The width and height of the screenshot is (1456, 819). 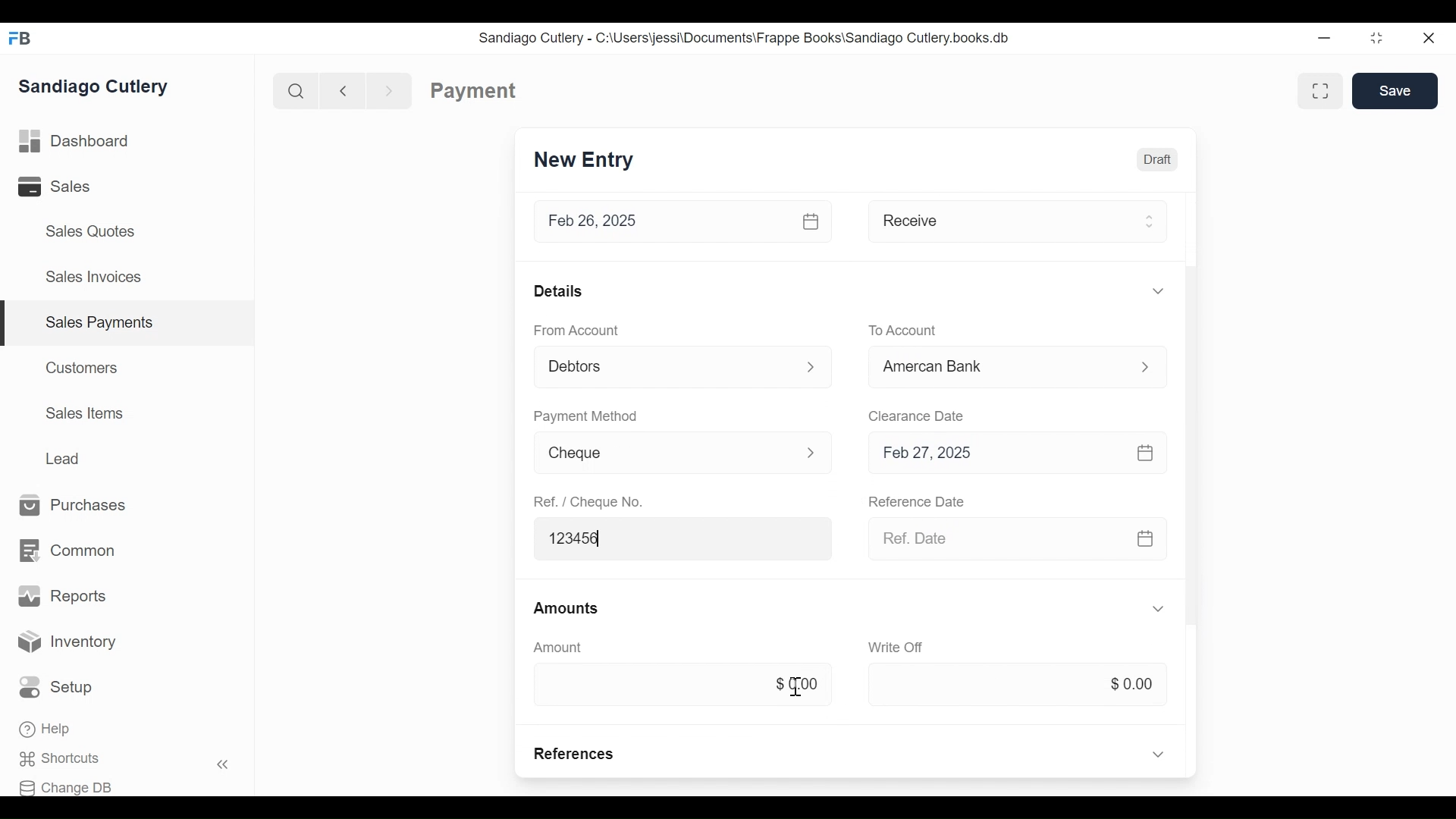 What do you see at coordinates (591, 502) in the screenshot?
I see `Ref. / Cheque No.` at bounding box center [591, 502].